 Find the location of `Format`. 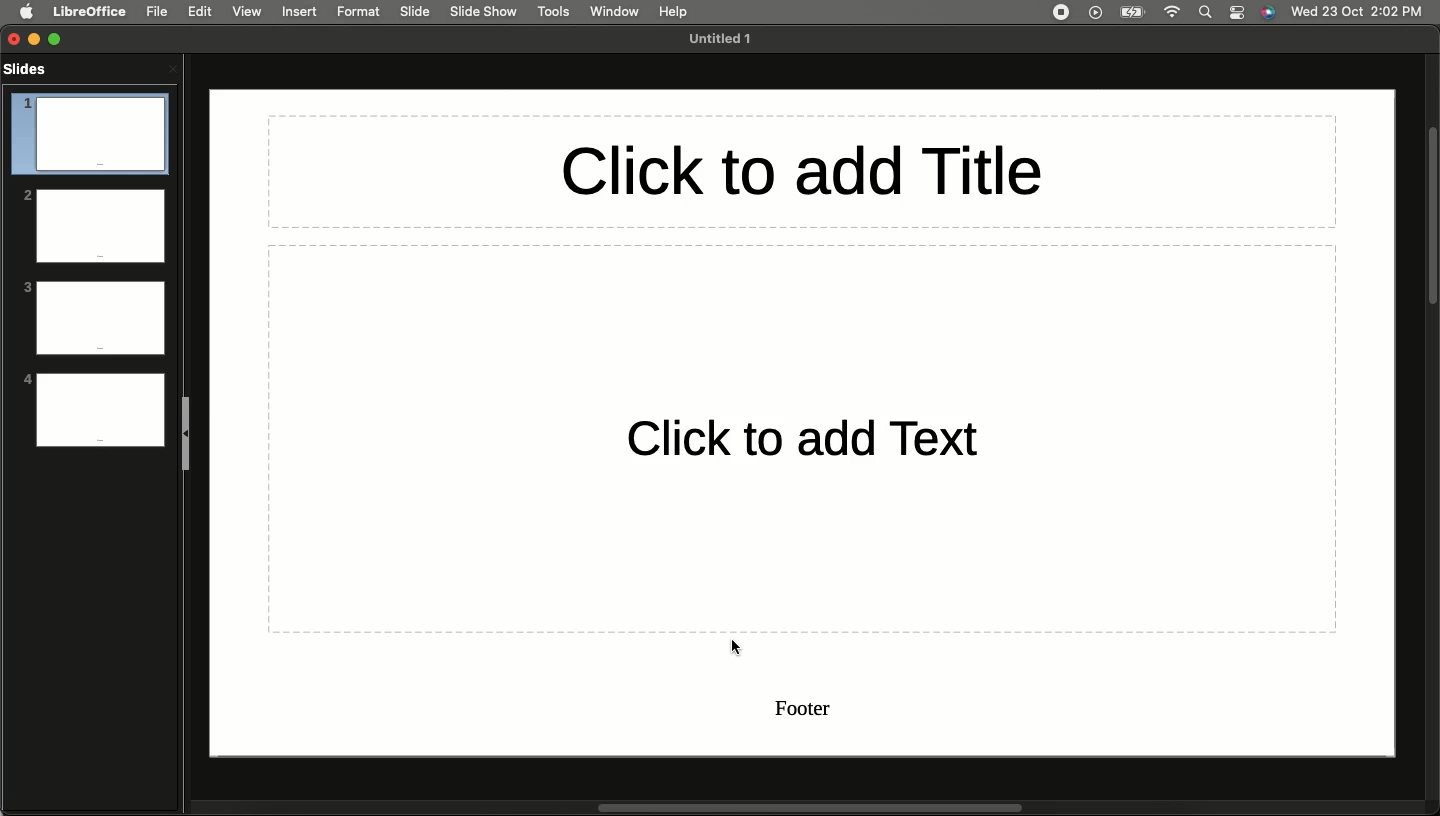

Format is located at coordinates (359, 11).